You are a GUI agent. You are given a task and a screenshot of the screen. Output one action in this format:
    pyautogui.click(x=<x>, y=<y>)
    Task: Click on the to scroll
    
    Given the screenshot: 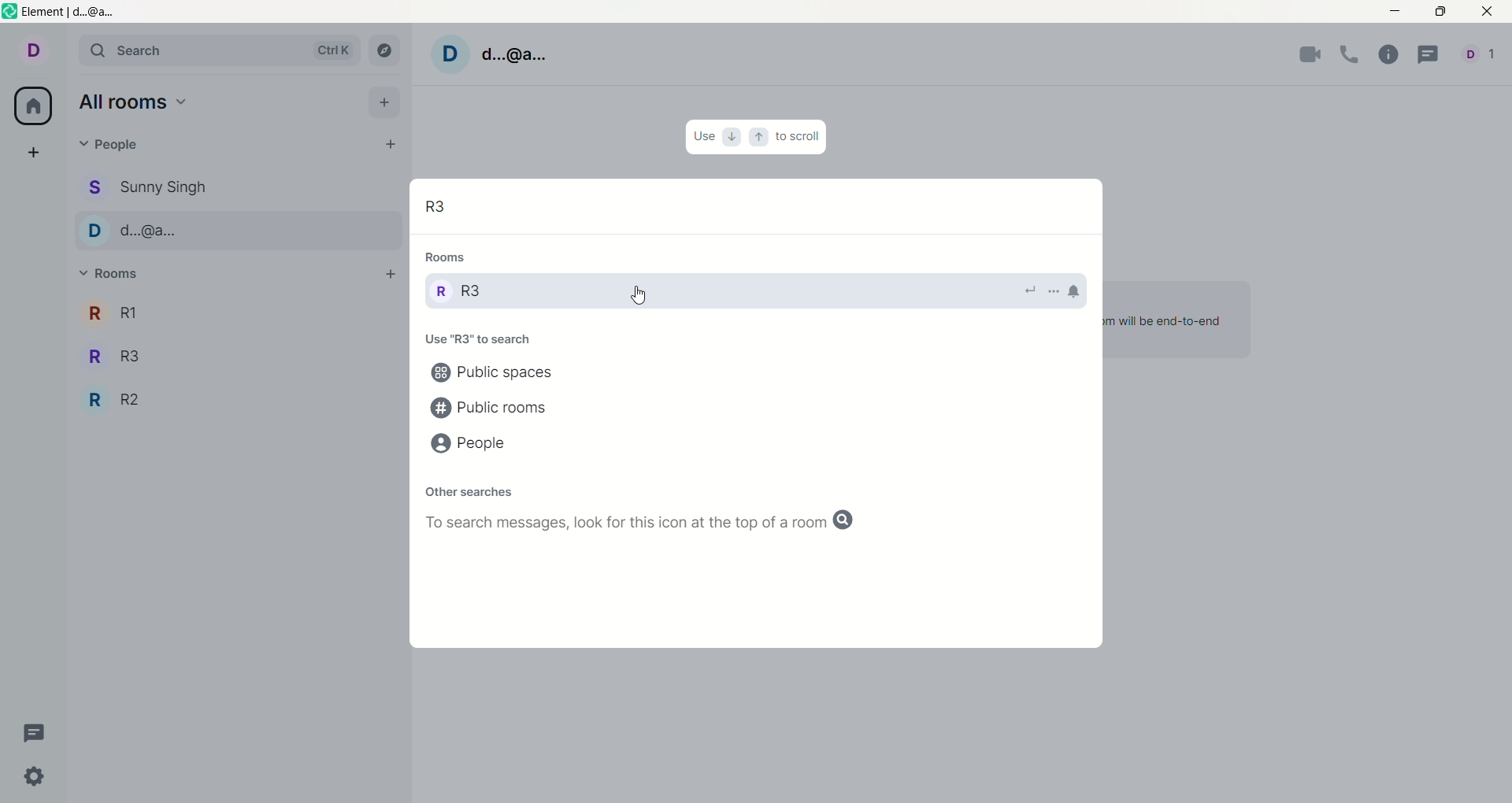 What is the action you would take?
    pyautogui.click(x=799, y=135)
    